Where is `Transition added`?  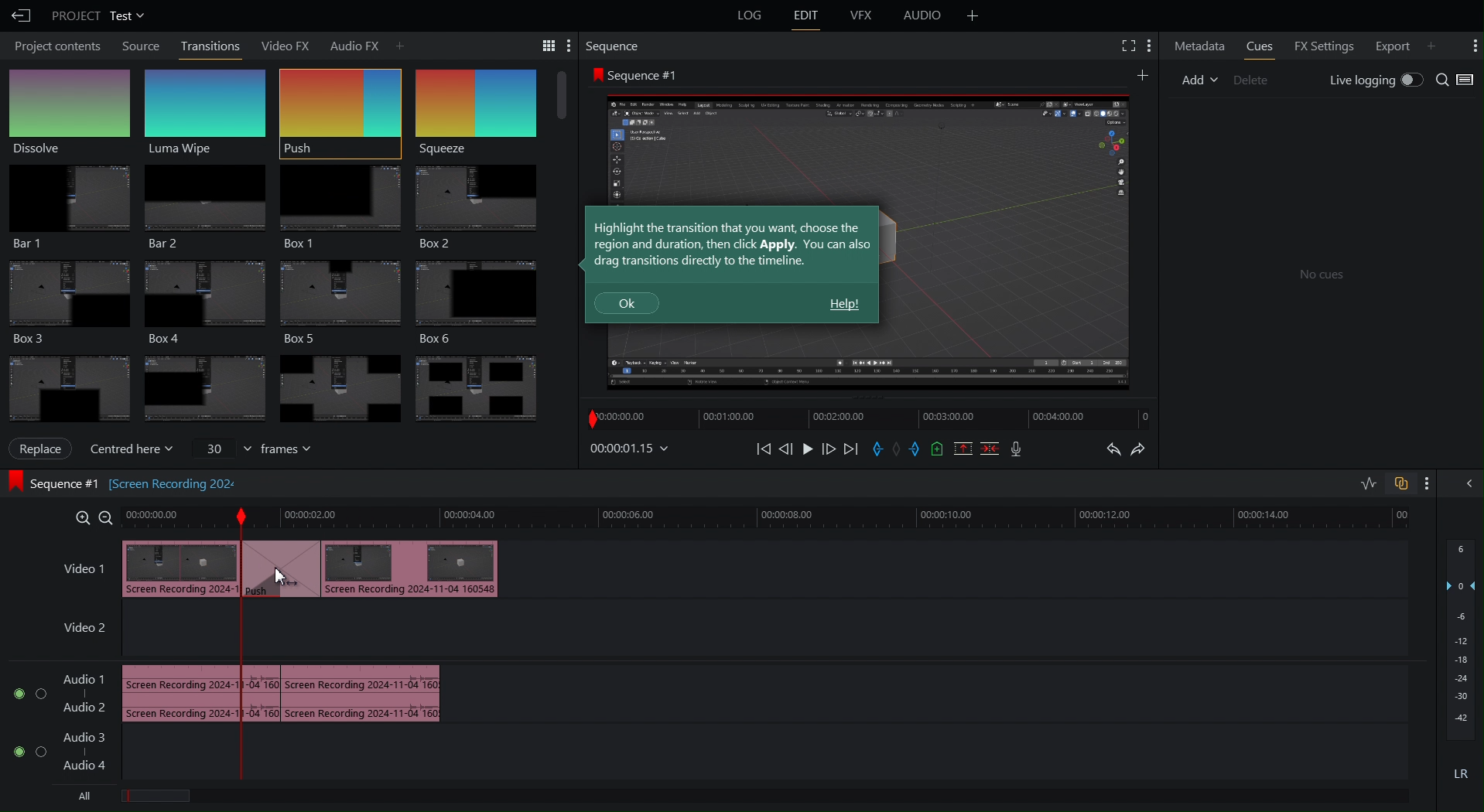 Transition added is located at coordinates (334, 569).